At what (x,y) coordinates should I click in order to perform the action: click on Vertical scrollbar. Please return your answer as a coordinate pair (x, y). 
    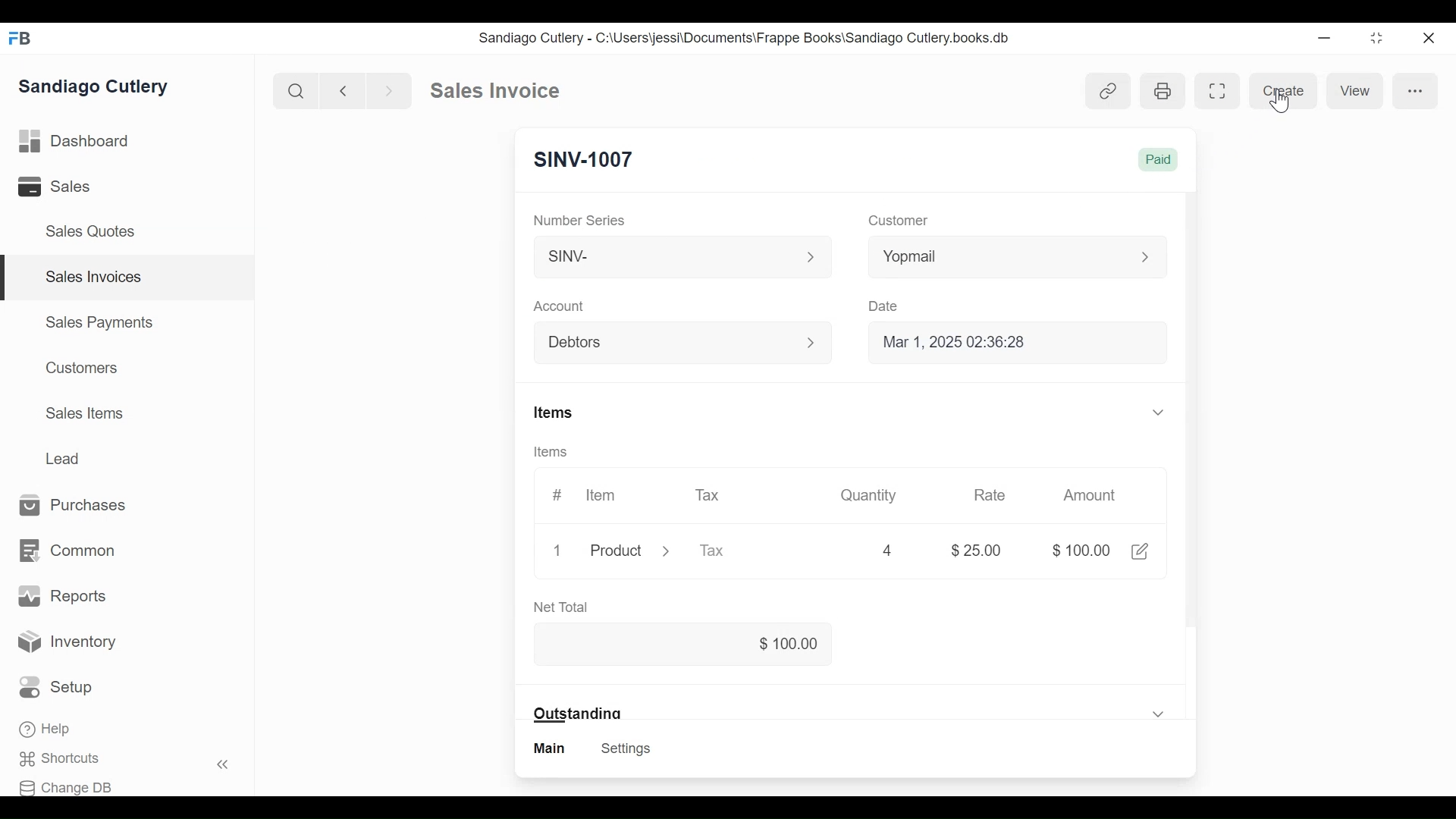
    Looking at the image, I should click on (1191, 413).